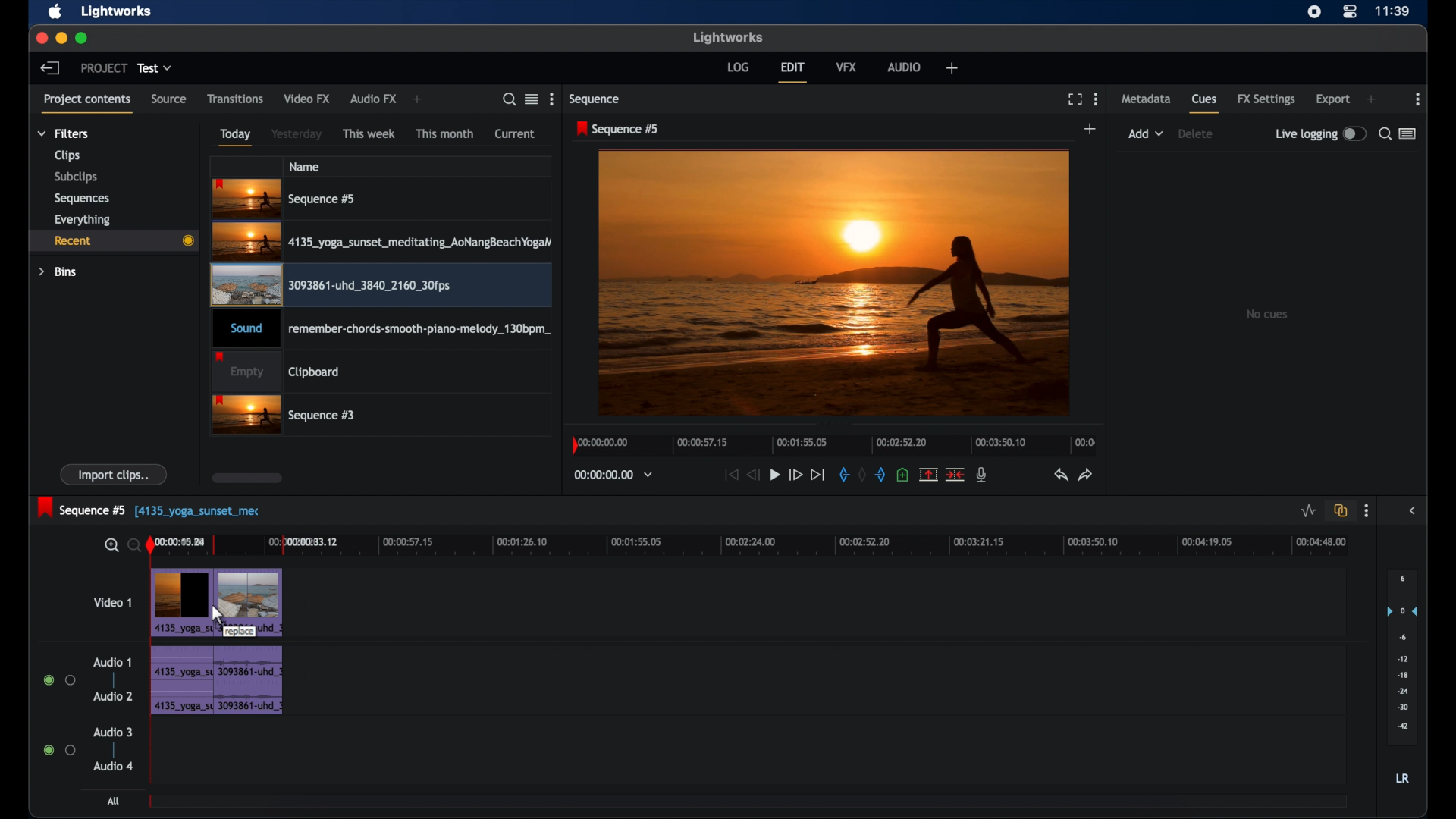 This screenshot has height=819, width=1456. I want to click on add, so click(952, 67).